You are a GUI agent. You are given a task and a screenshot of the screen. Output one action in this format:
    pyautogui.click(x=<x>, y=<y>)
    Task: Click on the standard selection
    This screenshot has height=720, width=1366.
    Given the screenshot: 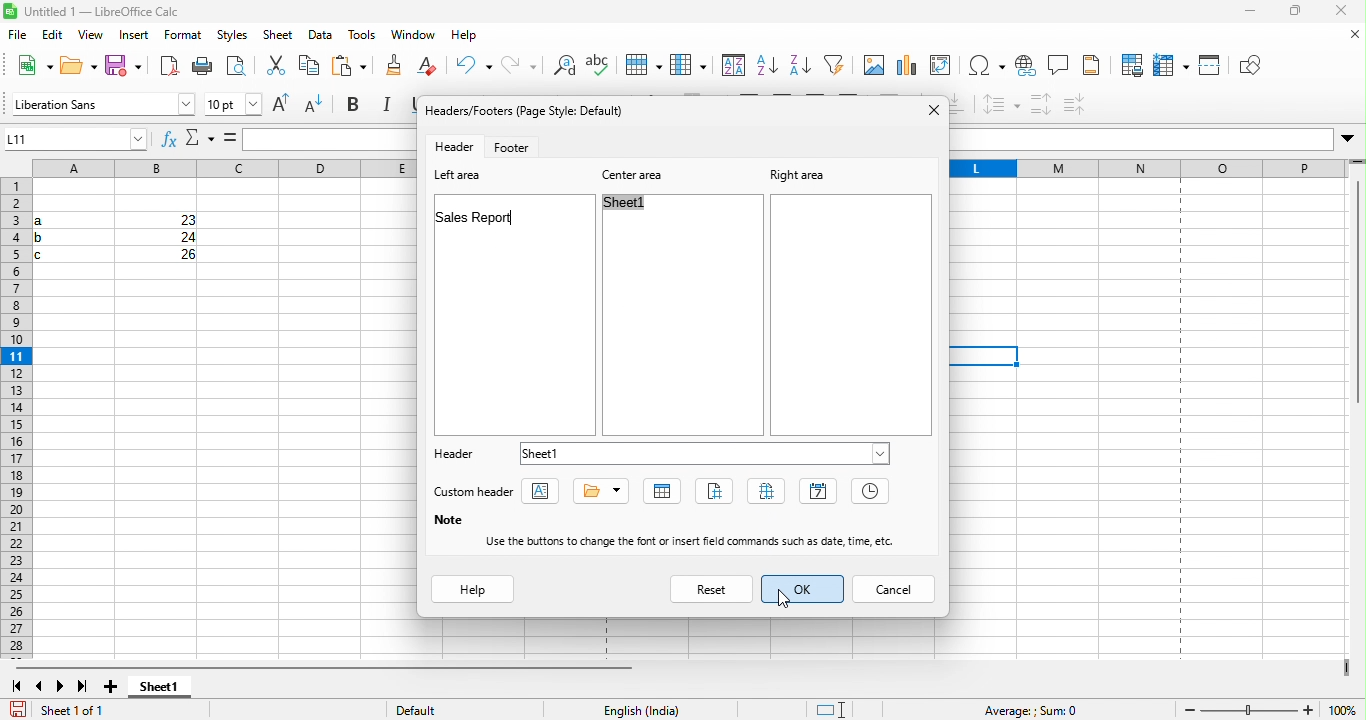 What is the action you would take?
    pyautogui.click(x=826, y=707)
    